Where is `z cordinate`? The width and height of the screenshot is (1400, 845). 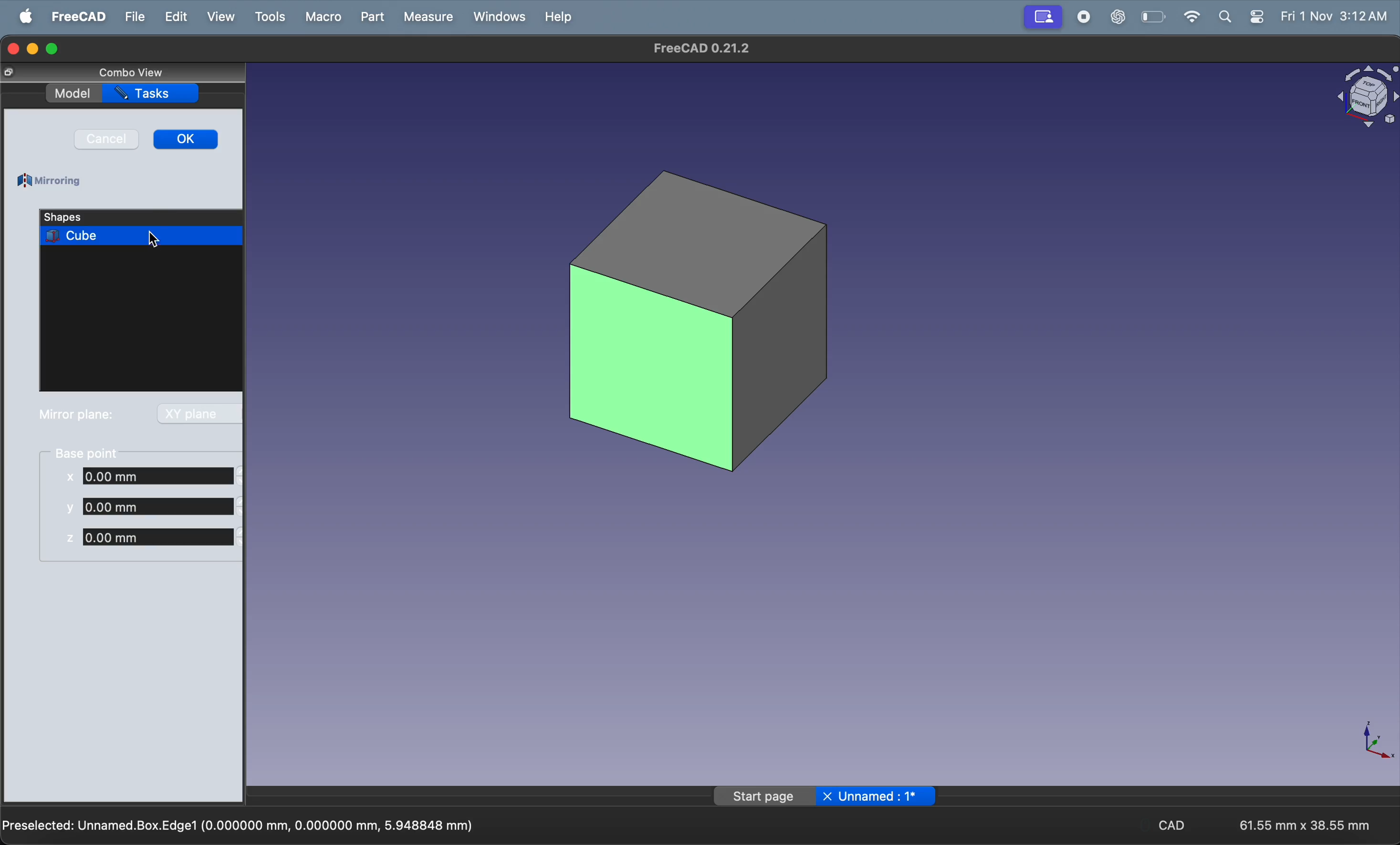
z cordinate is located at coordinates (152, 537).